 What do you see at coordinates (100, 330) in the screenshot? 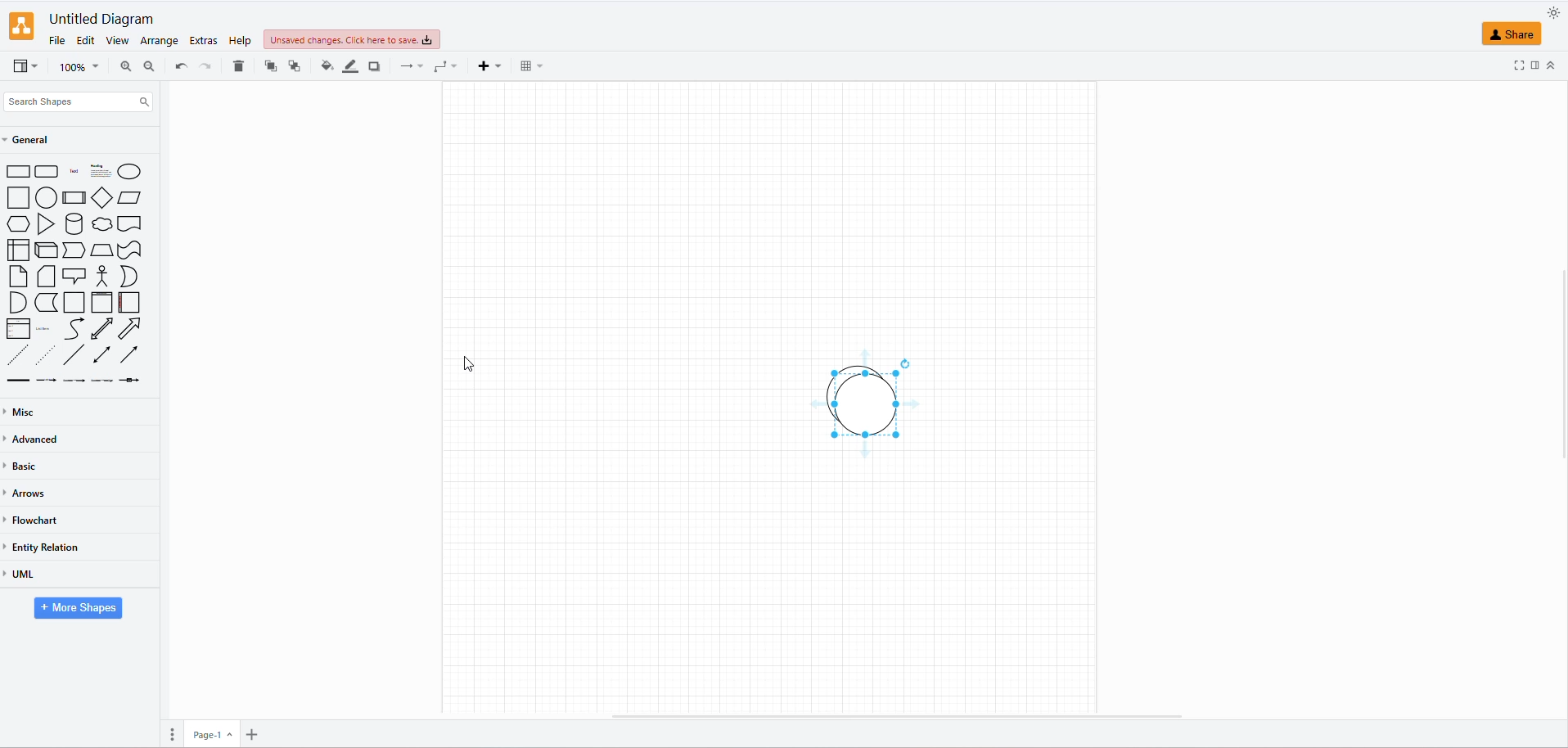
I see `BIDIRECTIONAL` at bounding box center [100, 330].